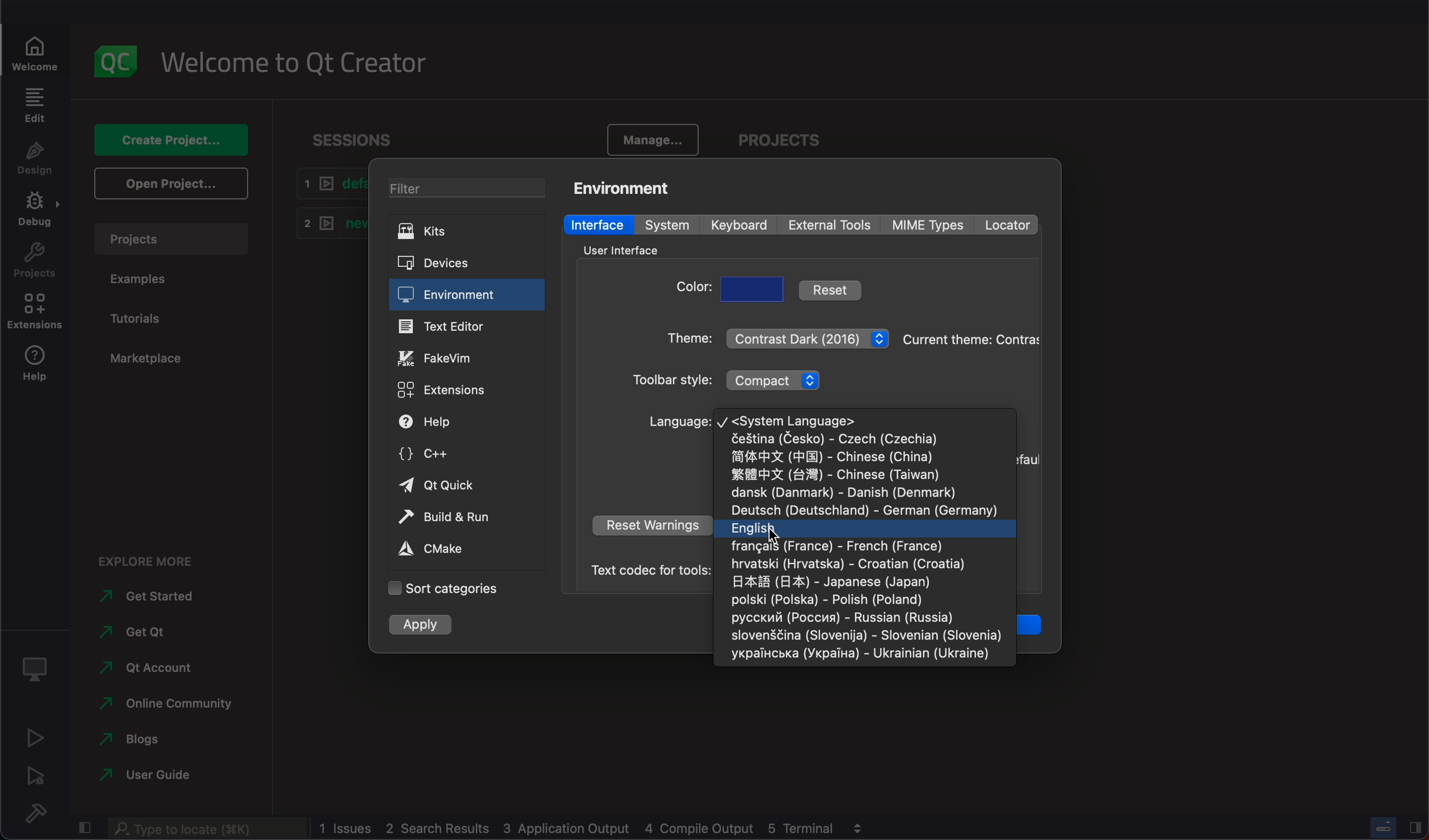 The image size is (1429, 840). I want to click on toolbar style menu, so click(772, 379).